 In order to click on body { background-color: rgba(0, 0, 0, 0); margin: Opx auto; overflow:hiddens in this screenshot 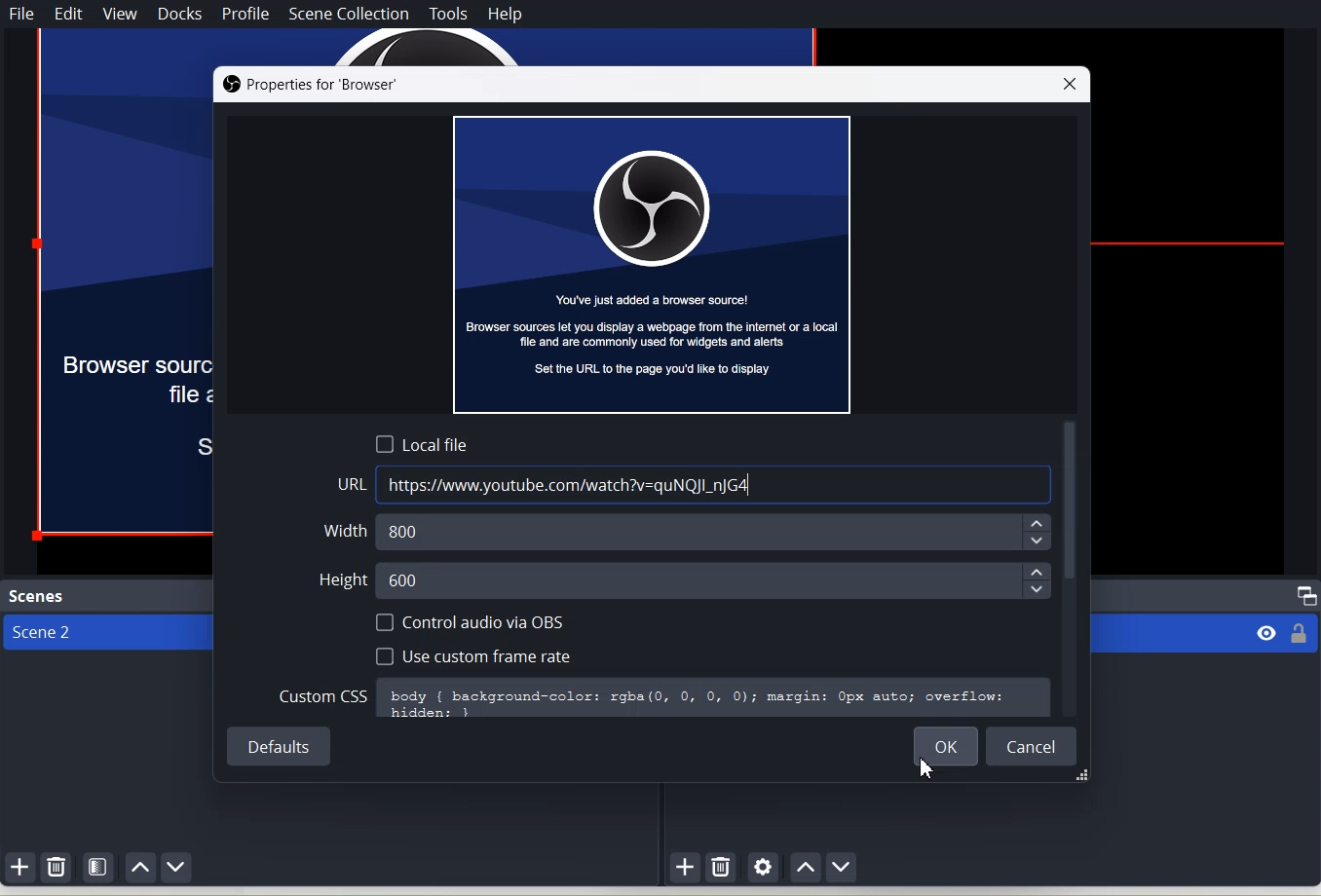, I will do `click(715, 699)`.